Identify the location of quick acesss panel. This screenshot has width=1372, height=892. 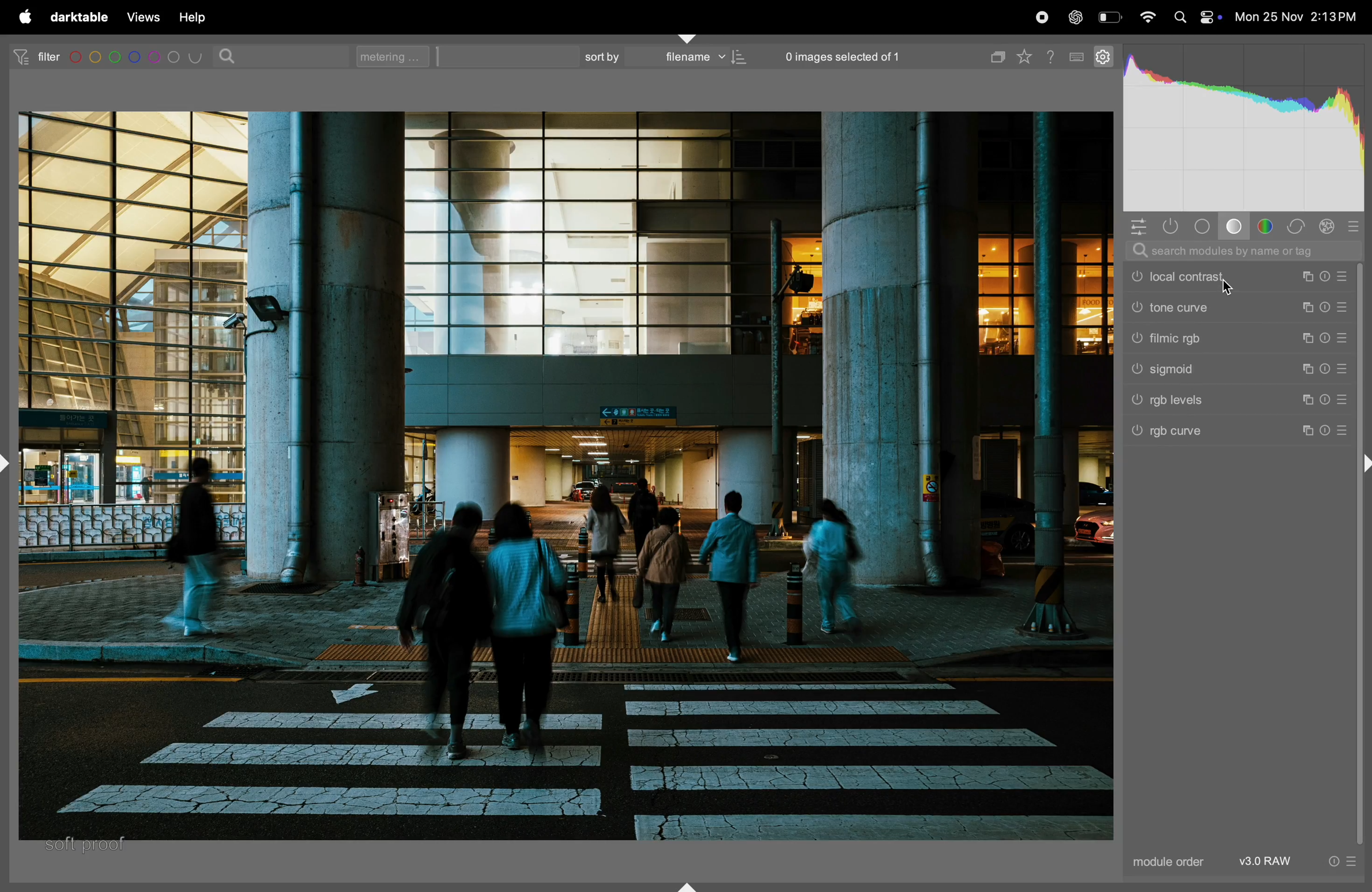
(1138, 226).